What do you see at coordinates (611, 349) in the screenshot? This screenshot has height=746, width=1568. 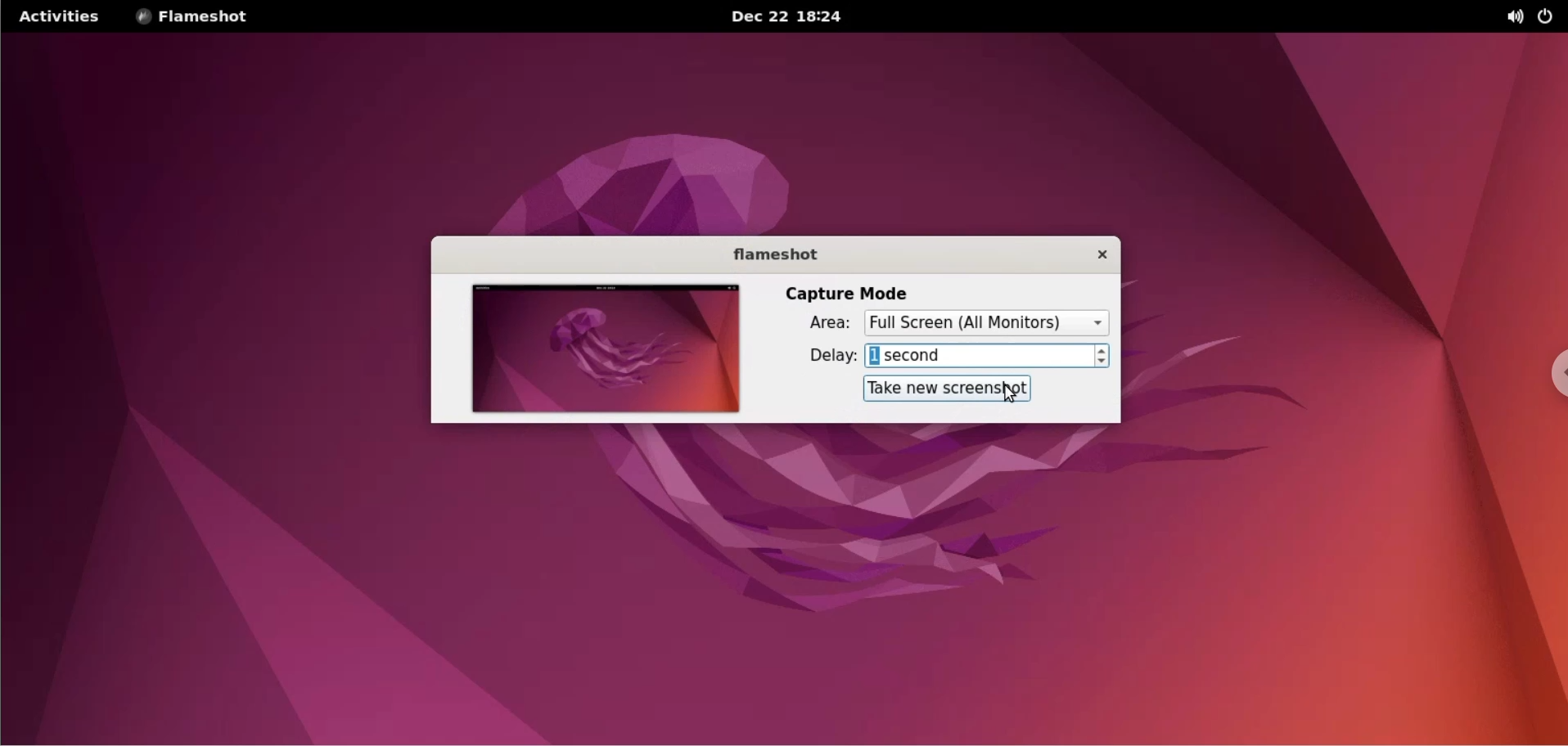 I see `screenshot preview` at bounding box center [611, 349].